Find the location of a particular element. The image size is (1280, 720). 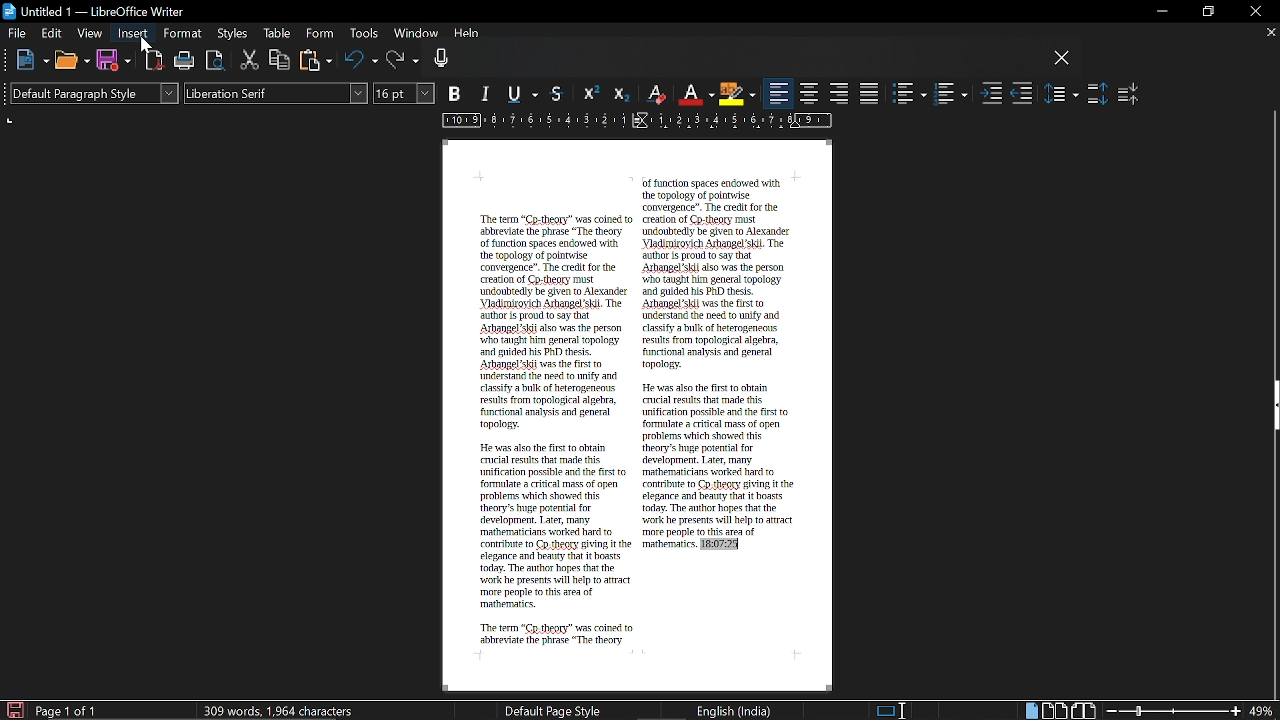

Superscript is located at coordinates (589, 94).